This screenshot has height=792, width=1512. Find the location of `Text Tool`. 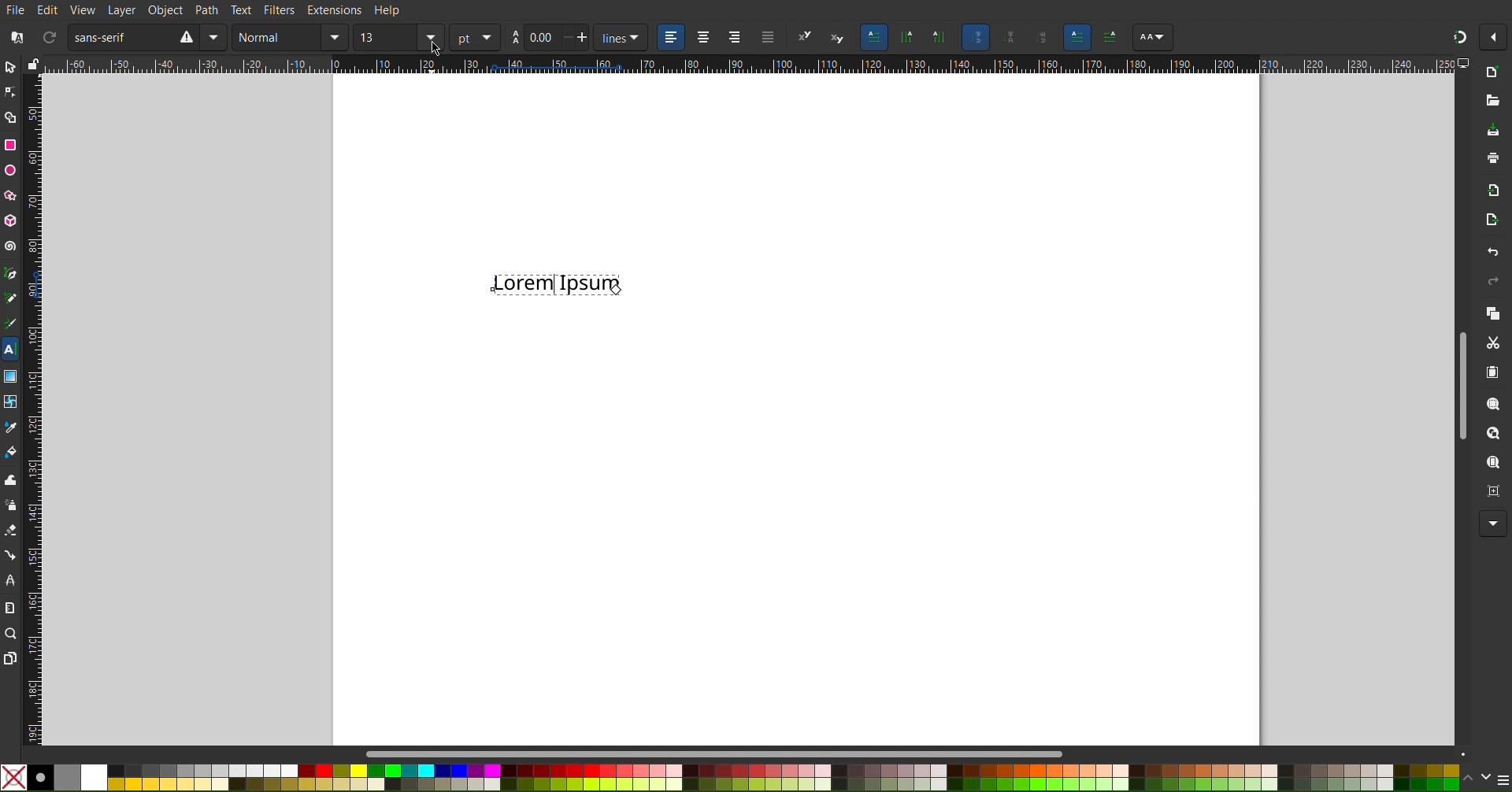

Text Tool is located at coordinates (10, 350).